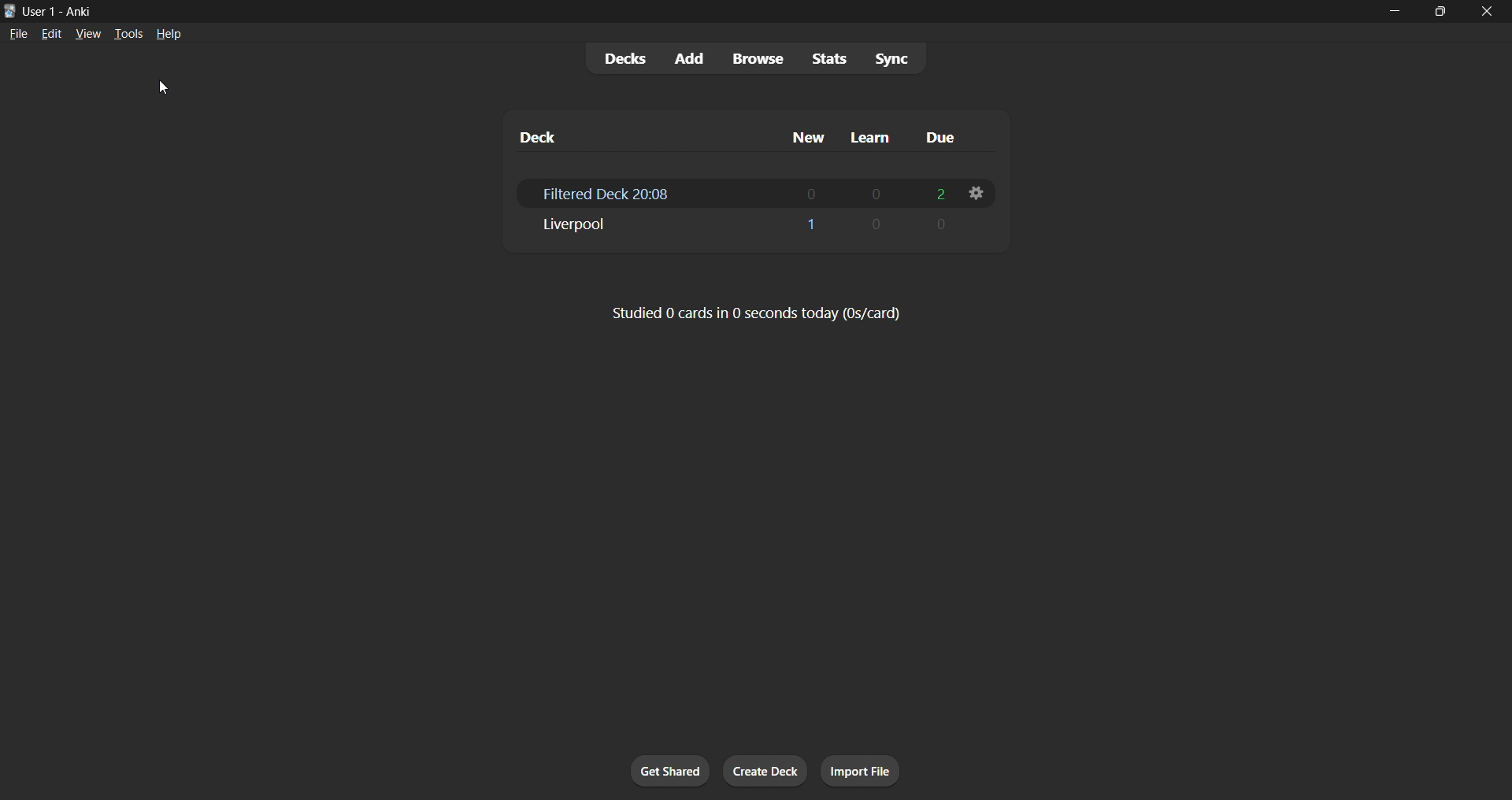  What do you see at coordinates (895, 58) in the screenshot?
I see `sync` at bounding box center [895, 58].